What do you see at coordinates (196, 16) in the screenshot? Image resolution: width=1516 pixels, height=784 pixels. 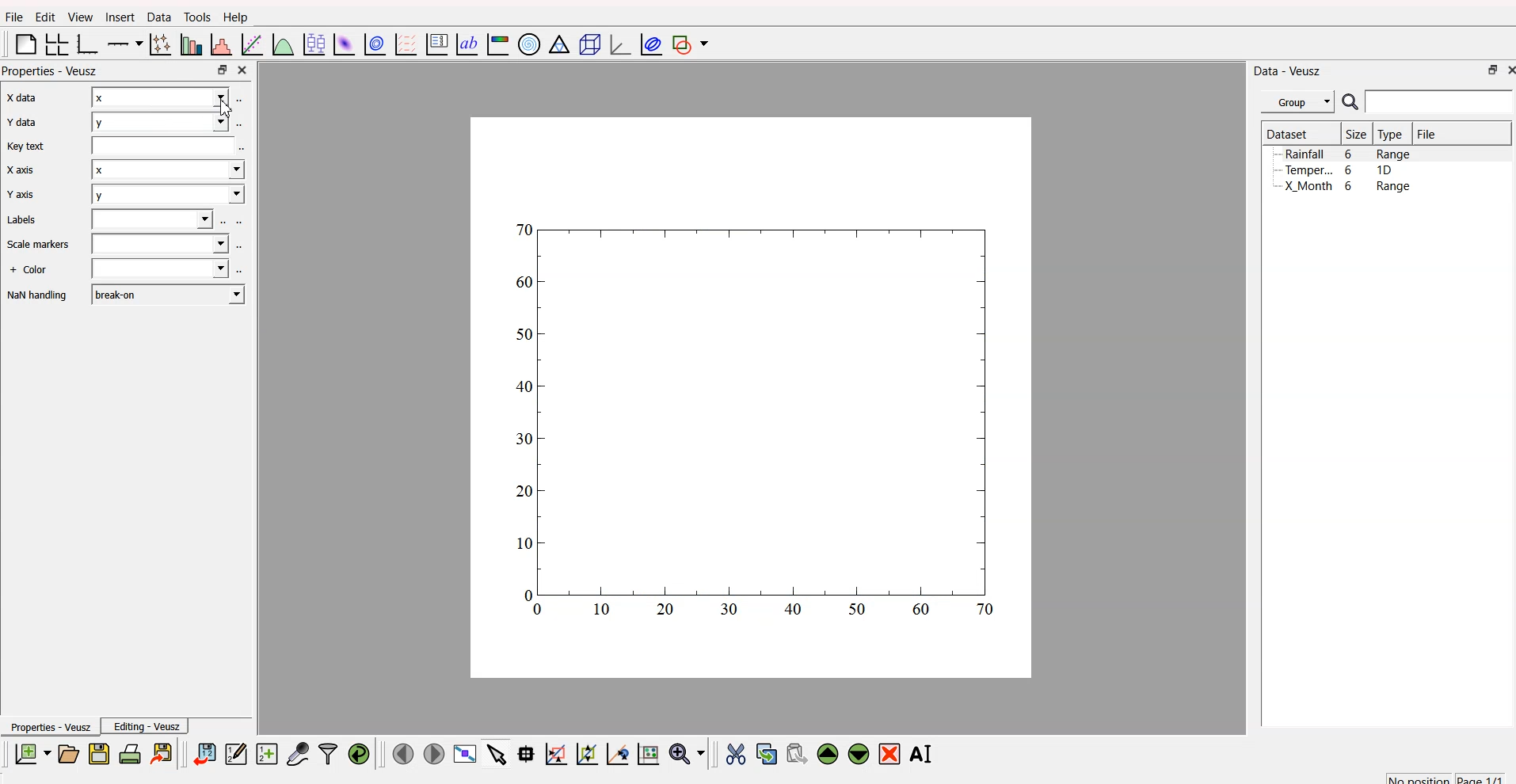 I see `Tools` at bounding box center [196, 16].